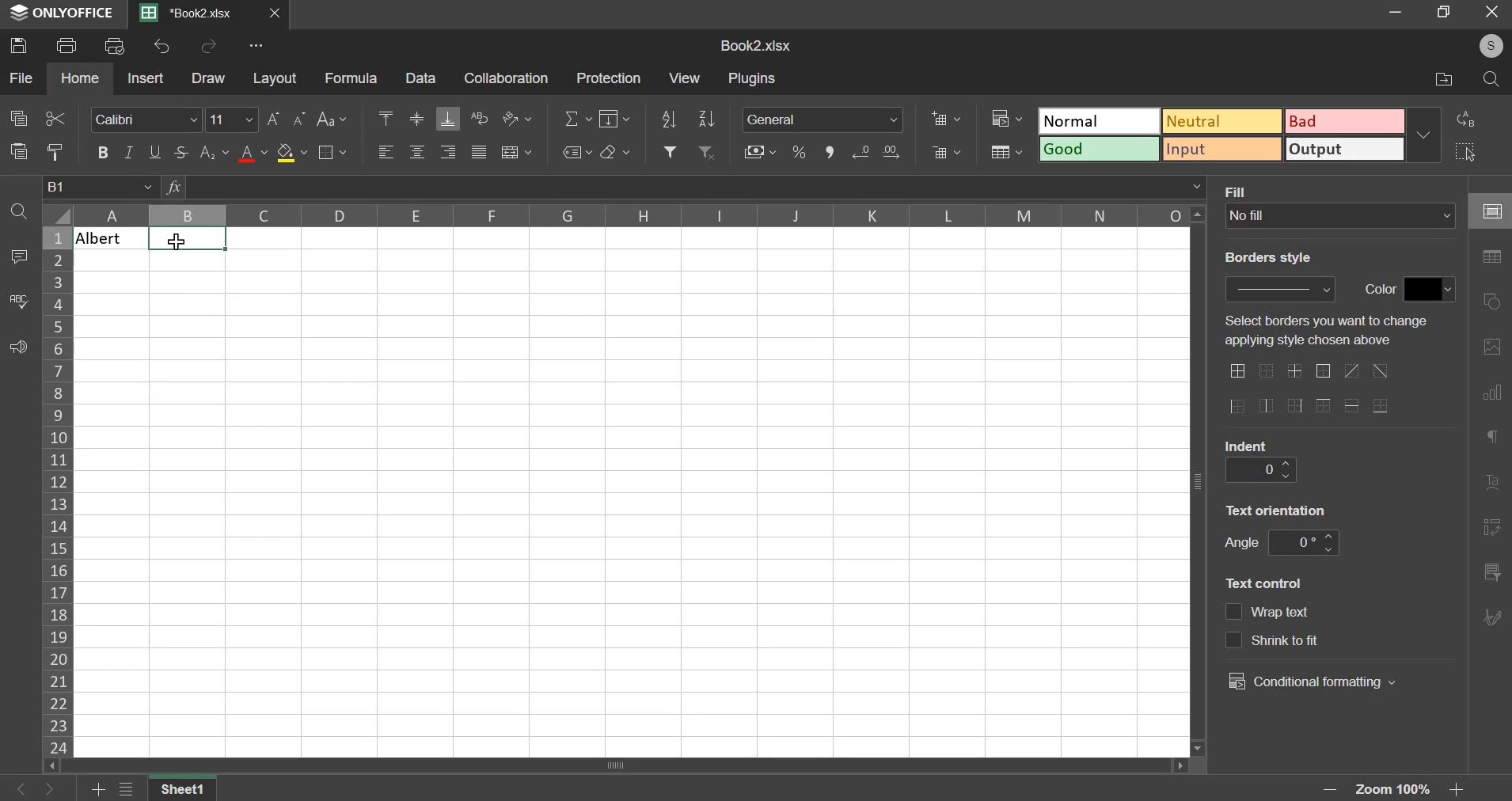  Describe the element at coordinates (1239, 542) in the screenshot. I see `angle` at that location.